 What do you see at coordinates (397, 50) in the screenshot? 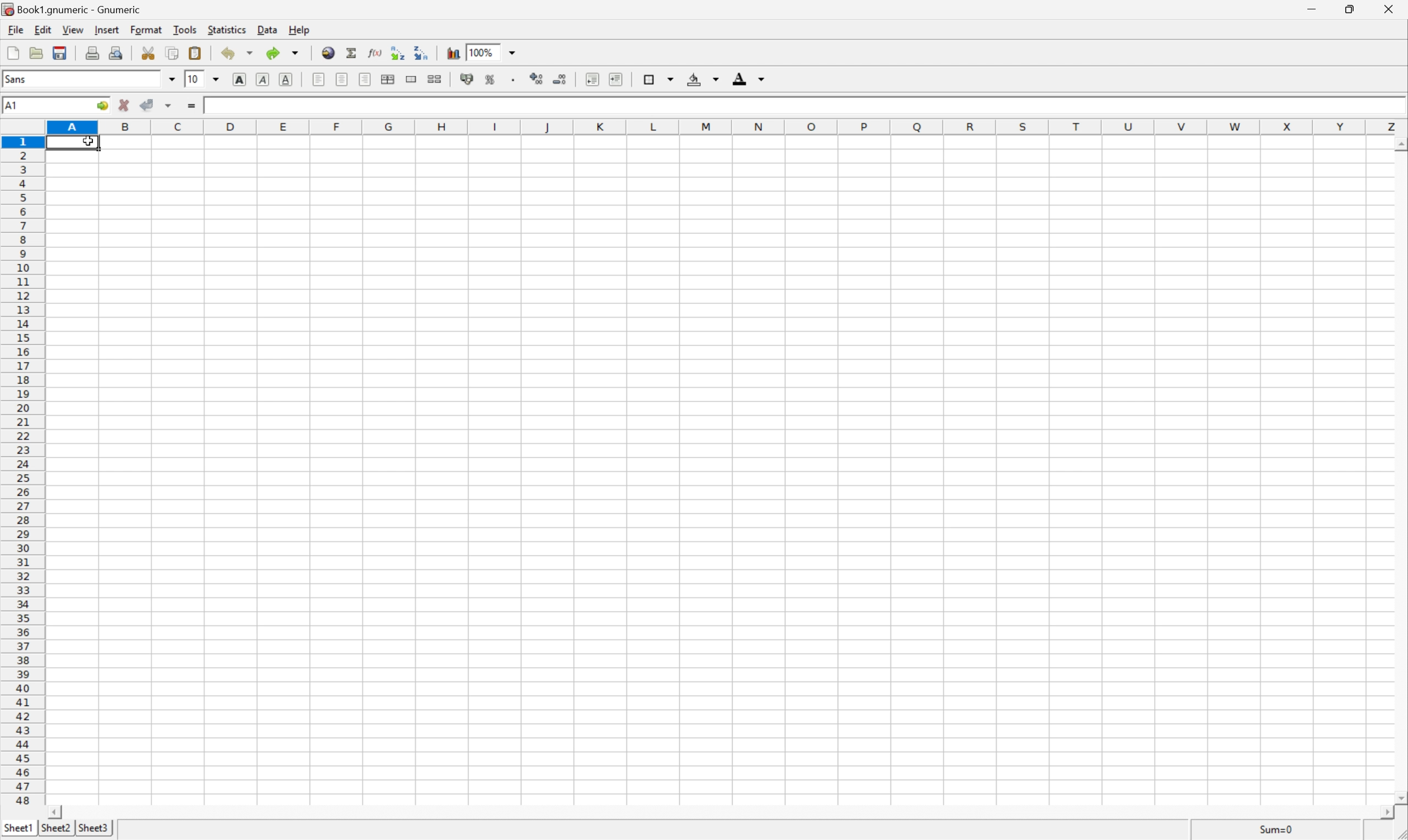
I see `Sort the selected region in ascending order based on the first column selected` at bounding box center [397, 50].